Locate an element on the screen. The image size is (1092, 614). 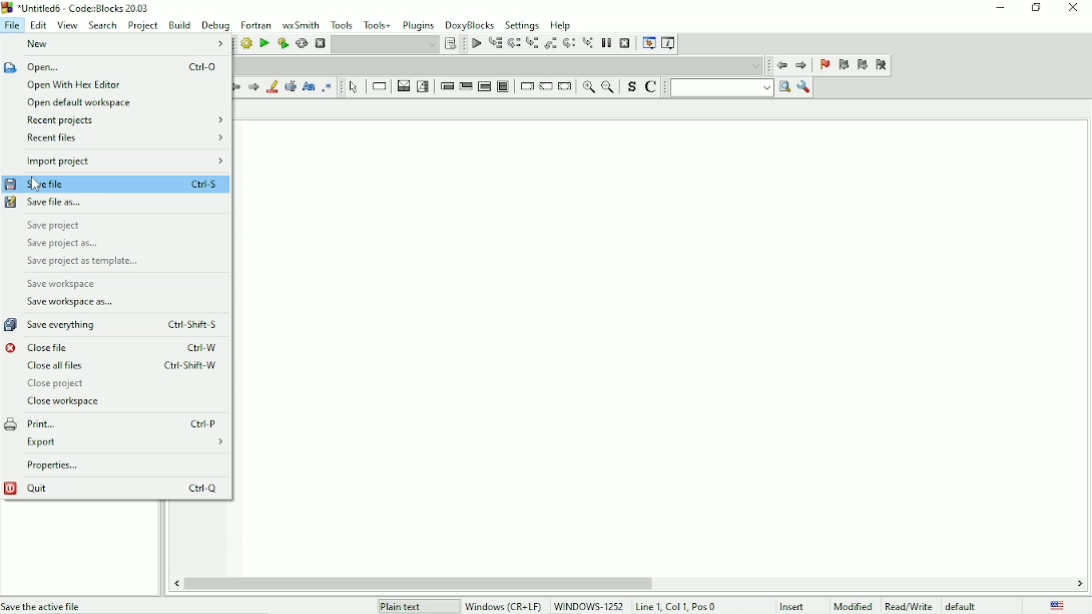
default is located at coordinates (963, 605).